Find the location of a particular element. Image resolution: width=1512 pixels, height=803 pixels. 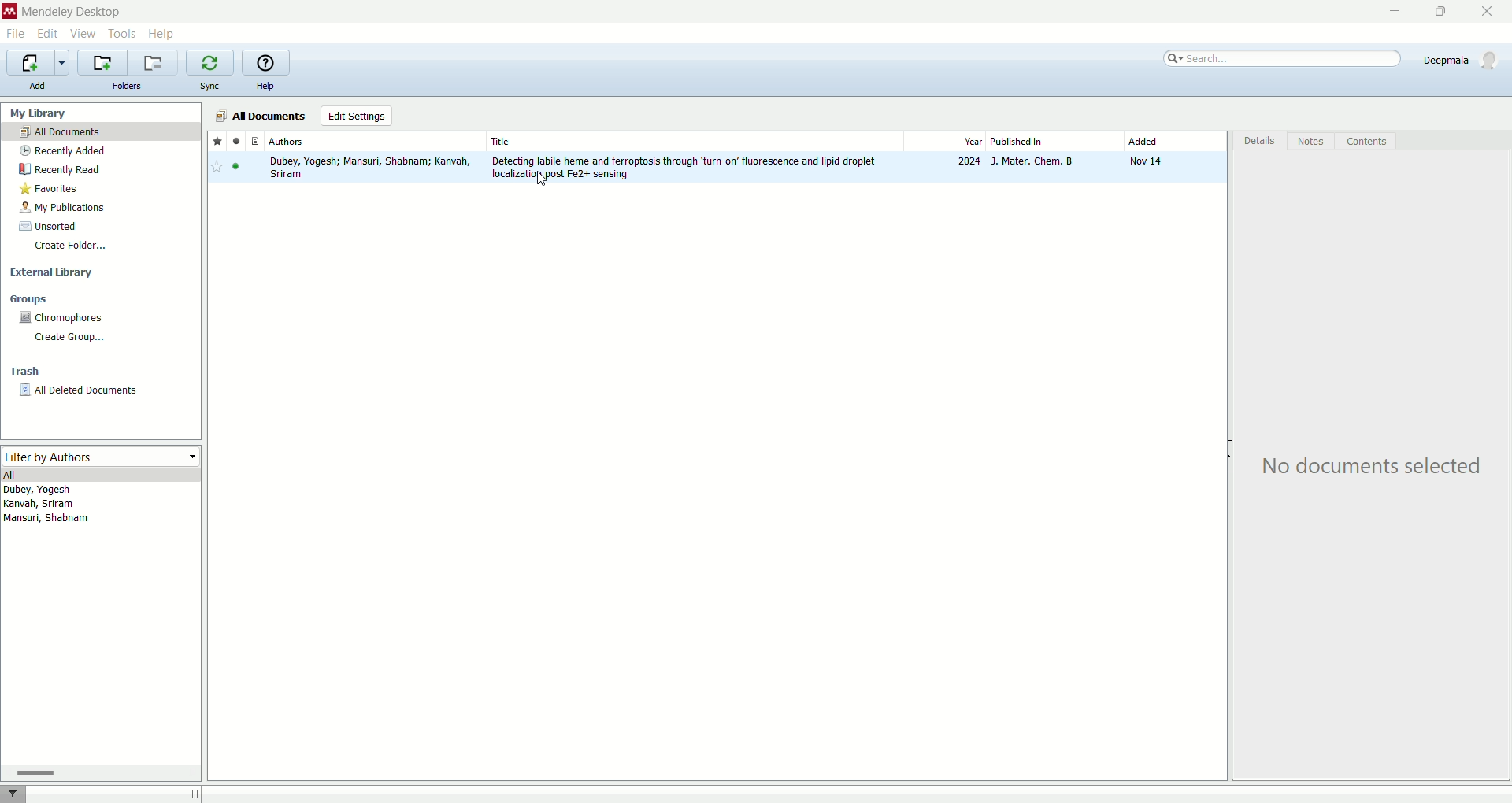

create folder is located at coordinates (70, 245).